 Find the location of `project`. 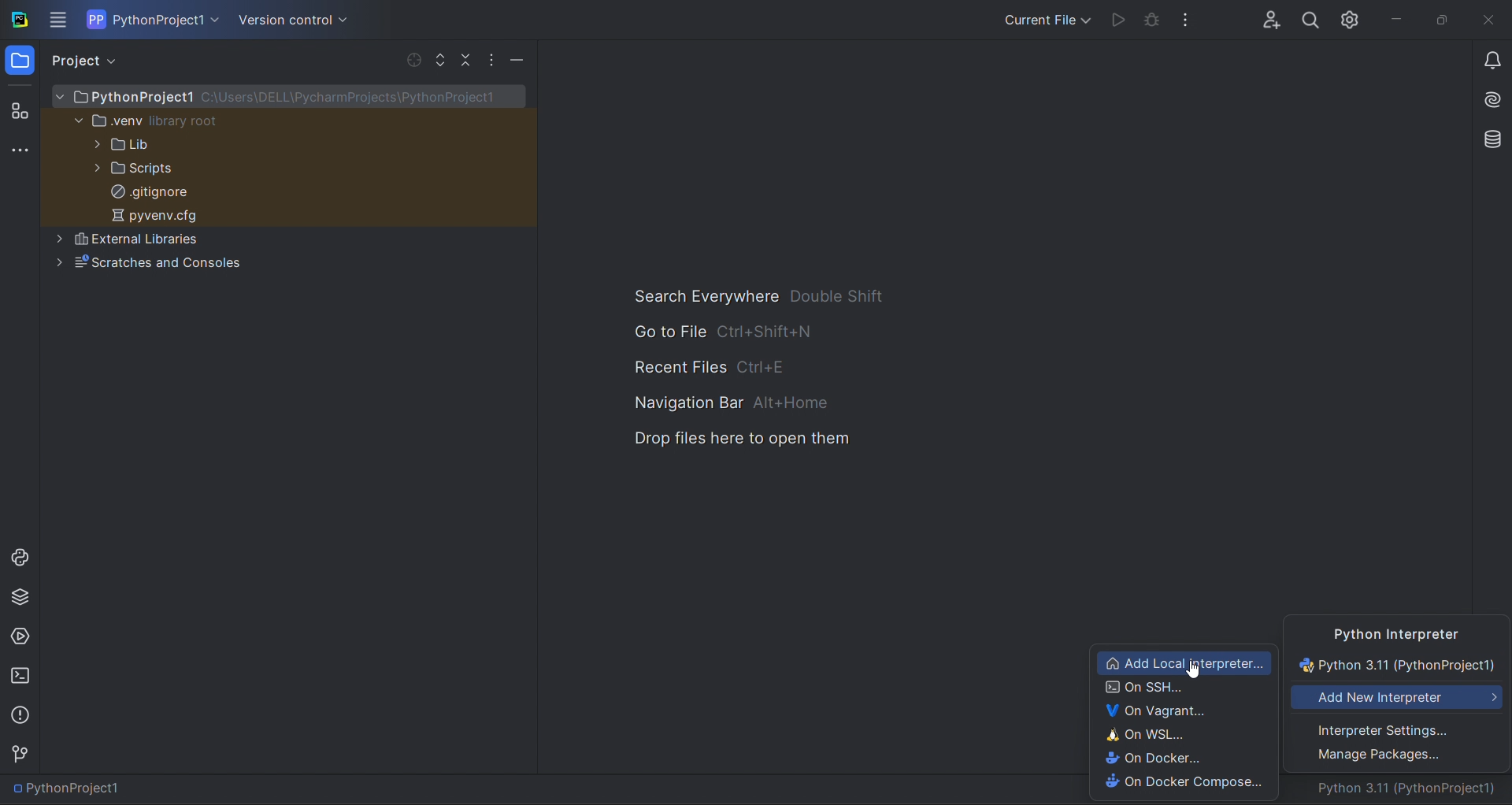

project is located at coordinates (89, 61).